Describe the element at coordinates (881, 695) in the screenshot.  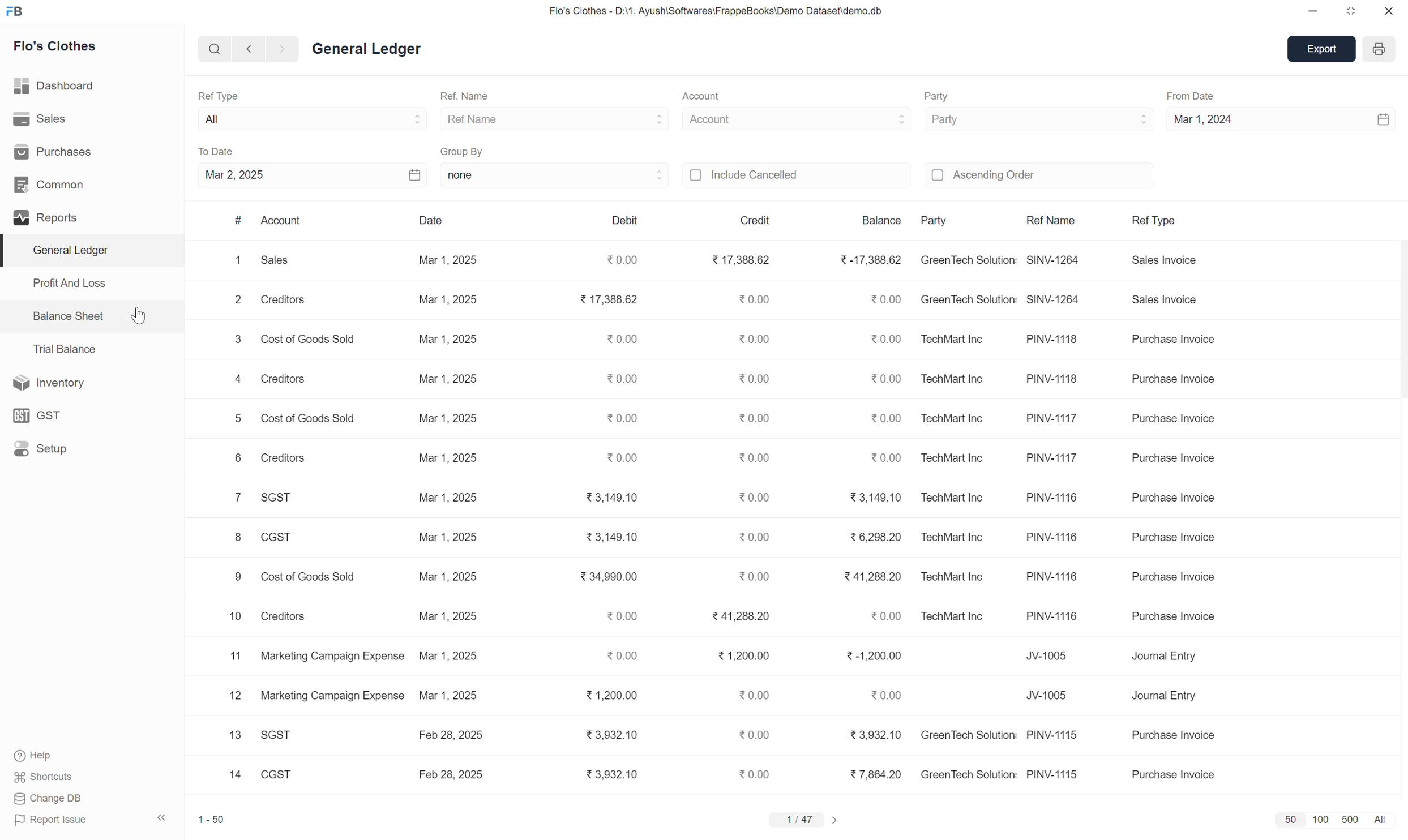
I see `0.00` at that location.